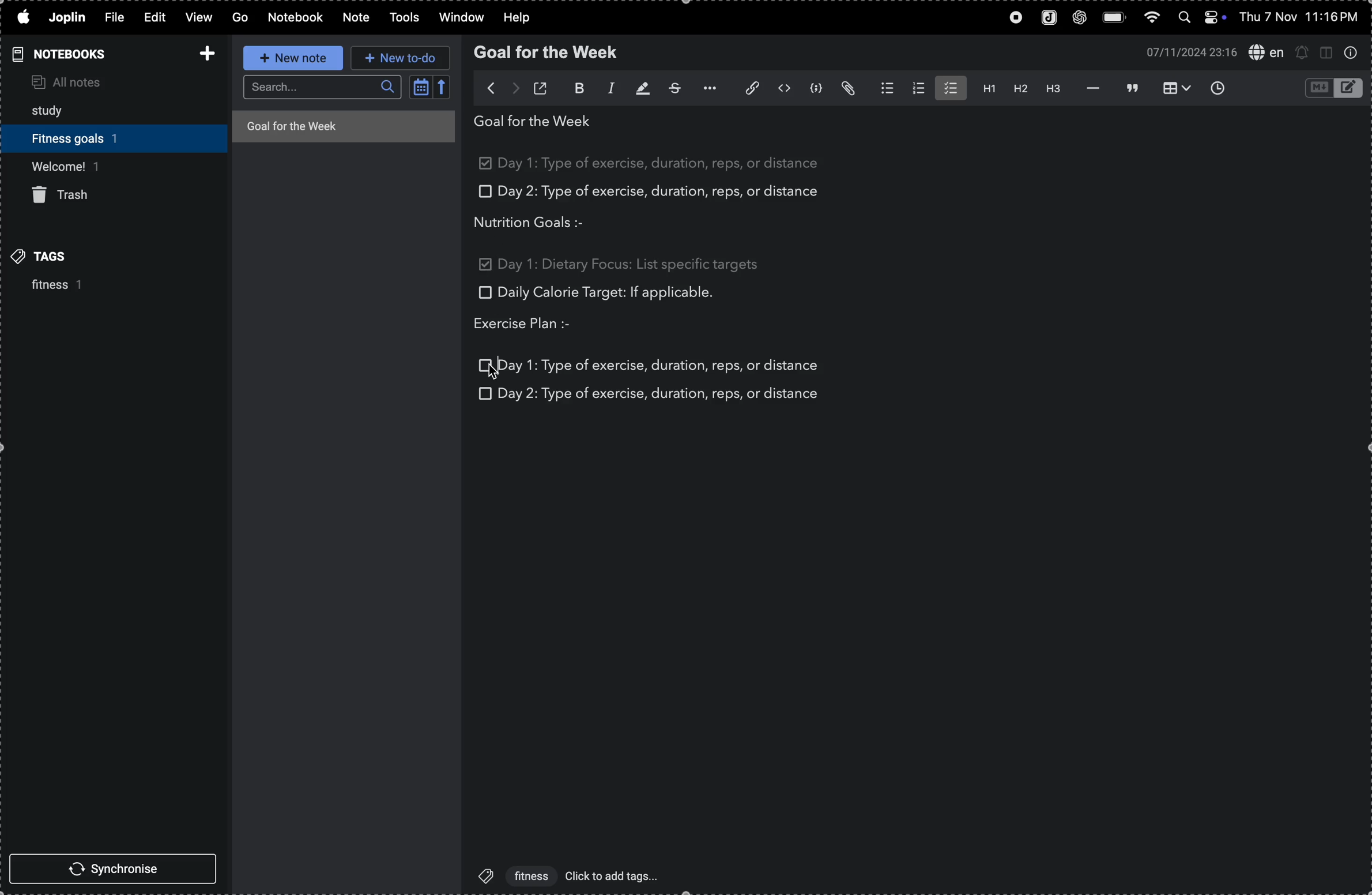 The width and height of the screenshot is (1372, 895). I want to click on fitness 1, so click(47, 287).